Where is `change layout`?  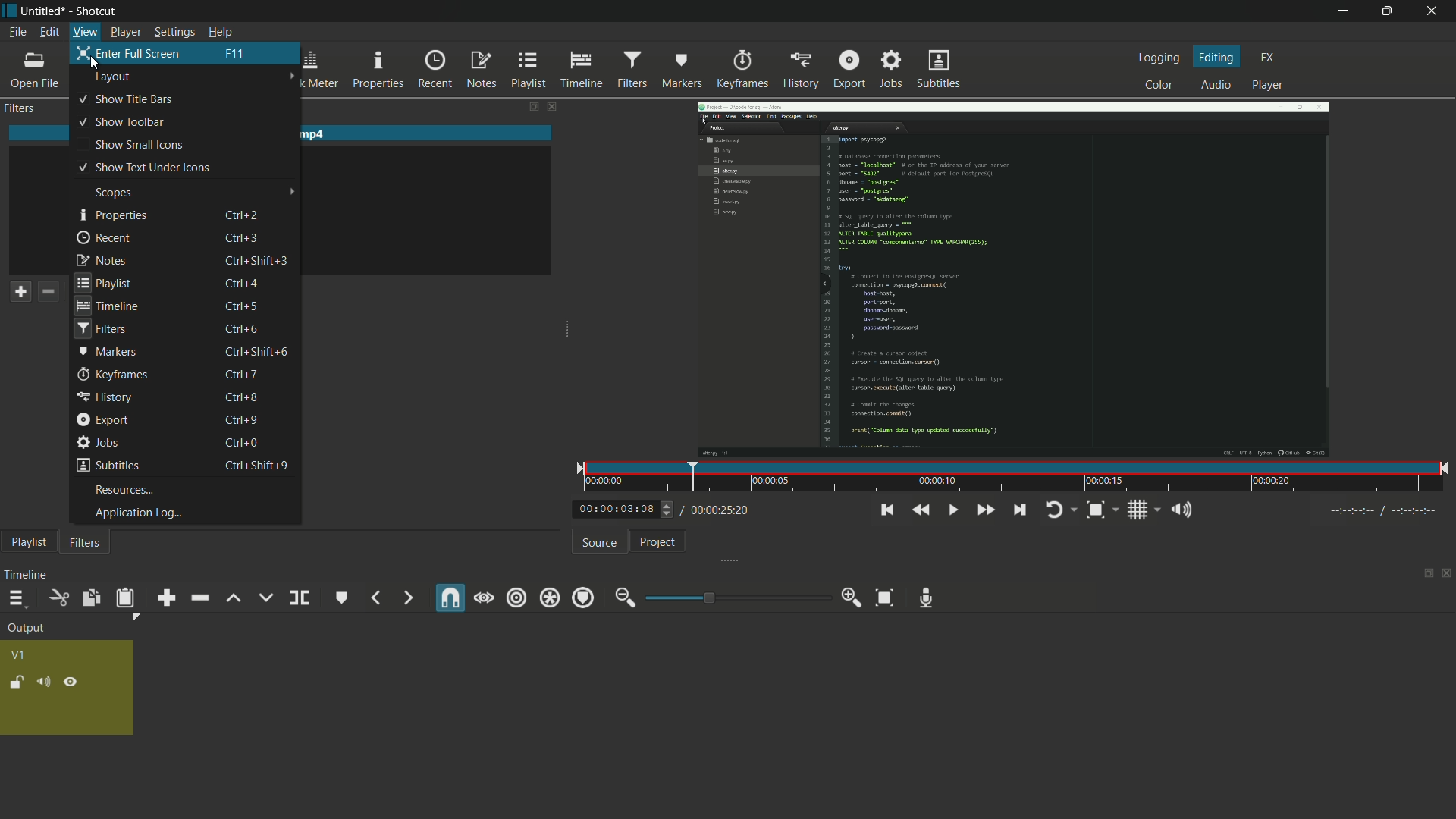
change layout is located at coordinates (532, 108).